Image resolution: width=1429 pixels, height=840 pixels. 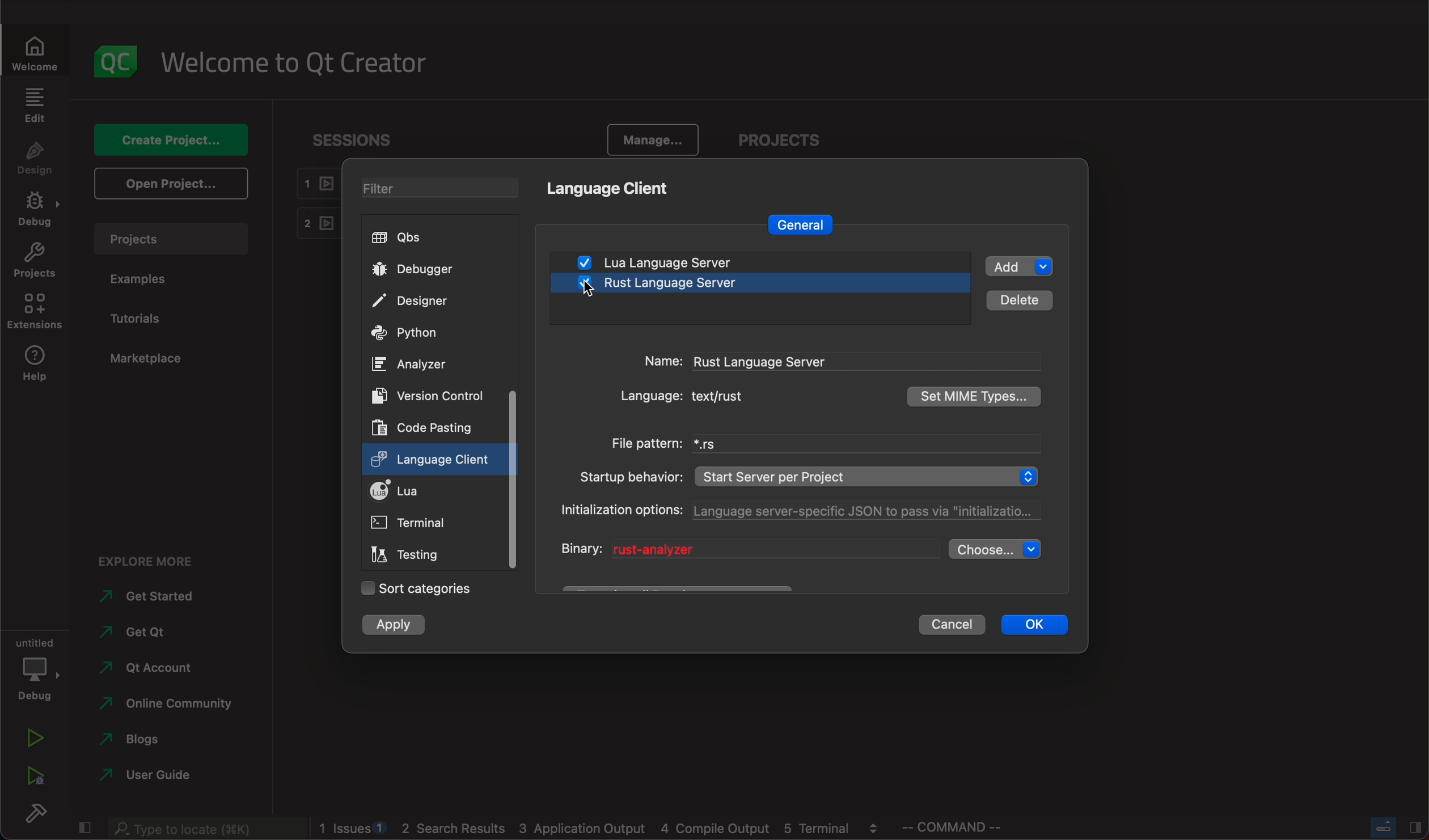 What do you see at coordinates (414, 272) in the screenshot?
I see `debugger` at bounding box center [414, 272].